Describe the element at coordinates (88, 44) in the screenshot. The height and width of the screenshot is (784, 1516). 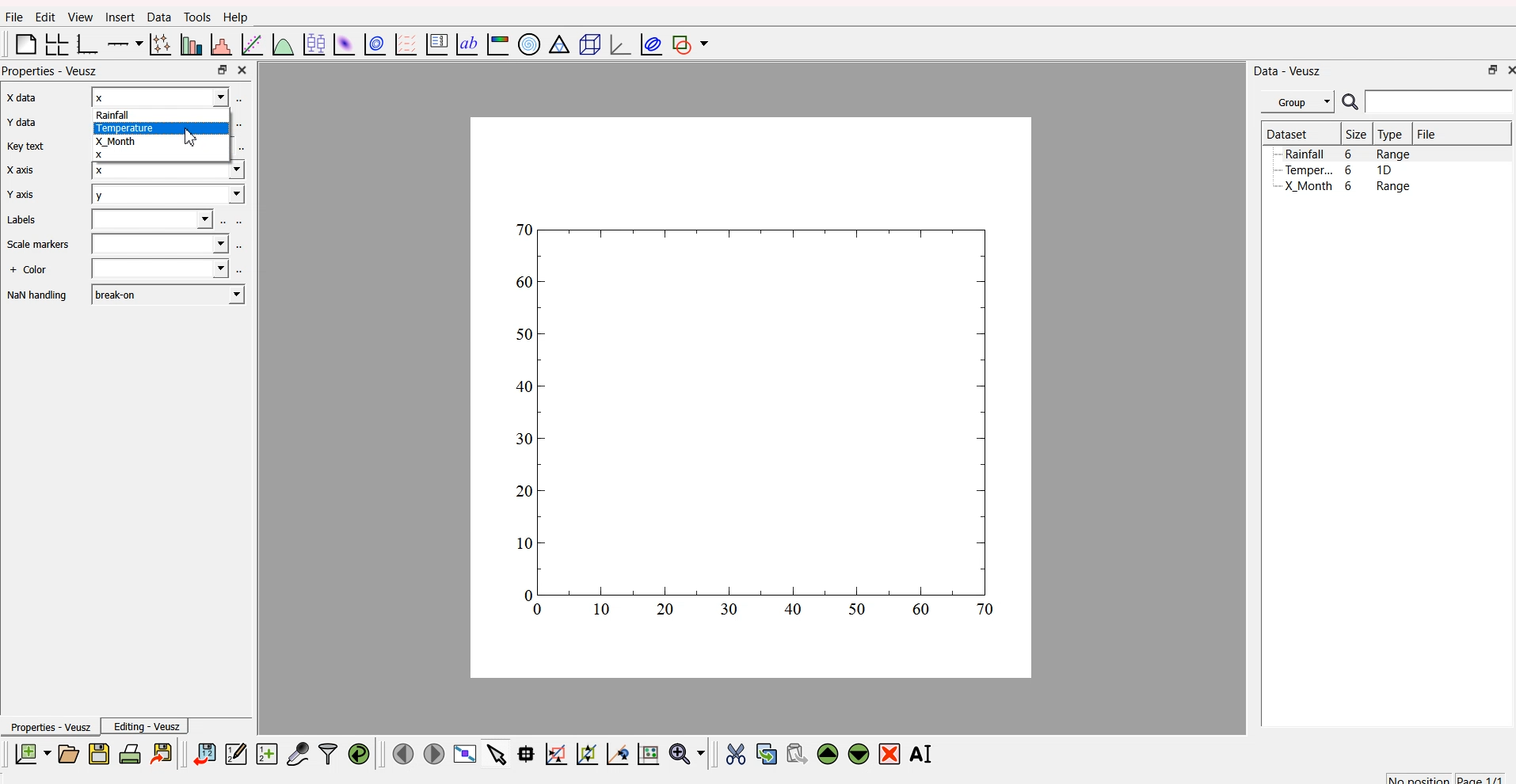
I see `base graph` at that location.